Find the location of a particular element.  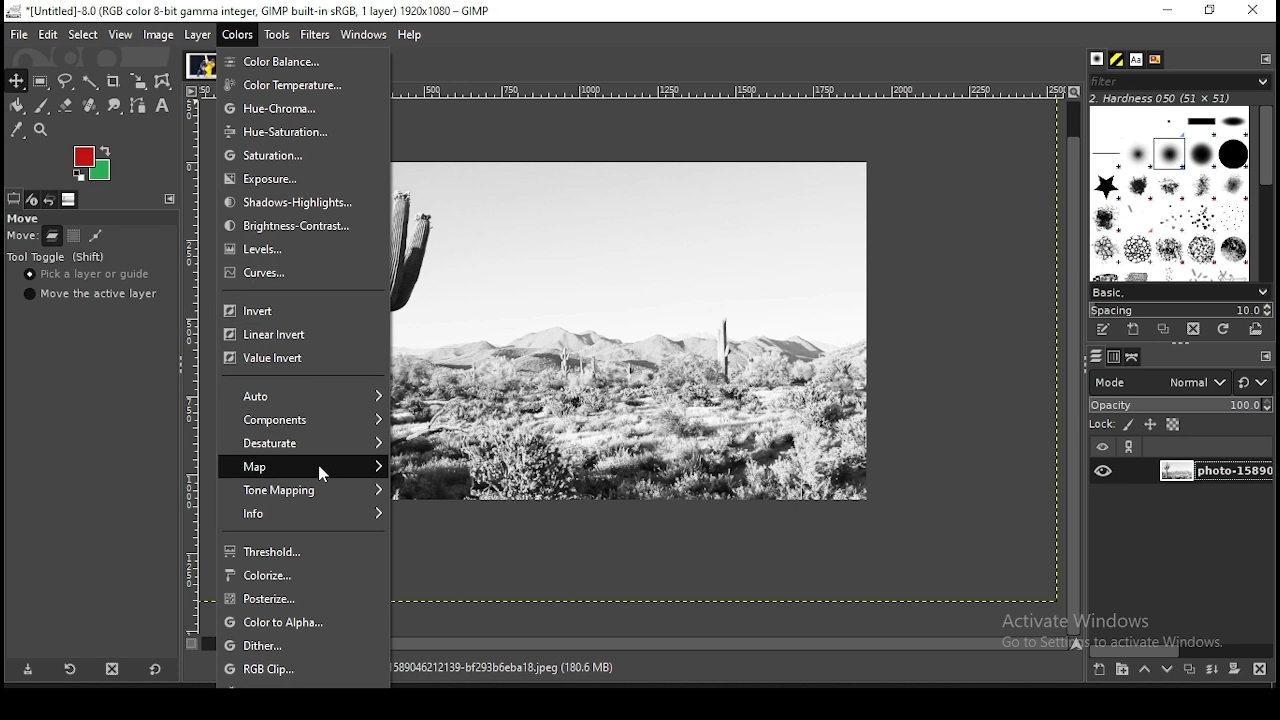

image is located at coordinates (200, 64).